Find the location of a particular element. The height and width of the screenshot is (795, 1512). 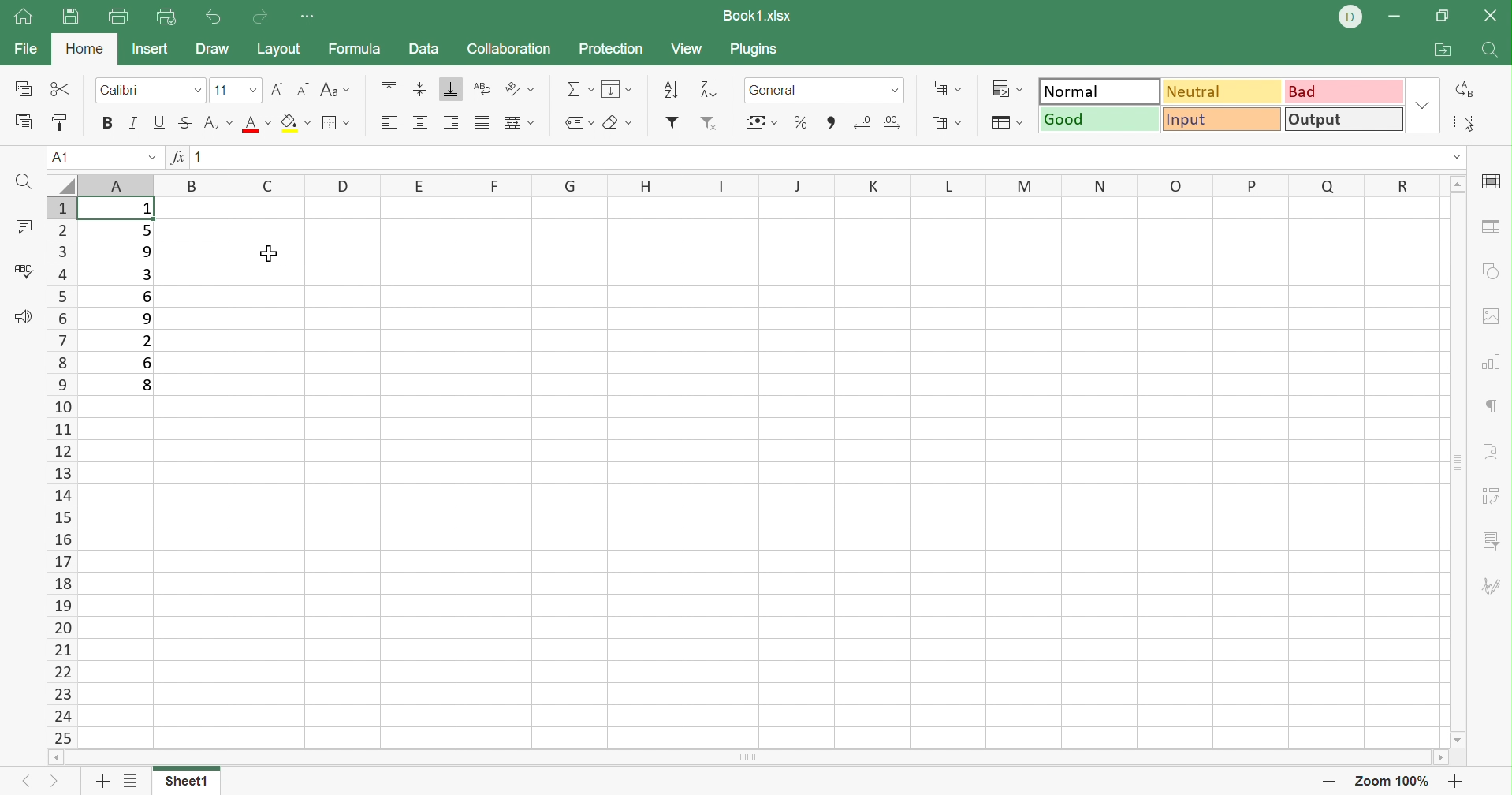

Formula is located at coordinates (363, 47).